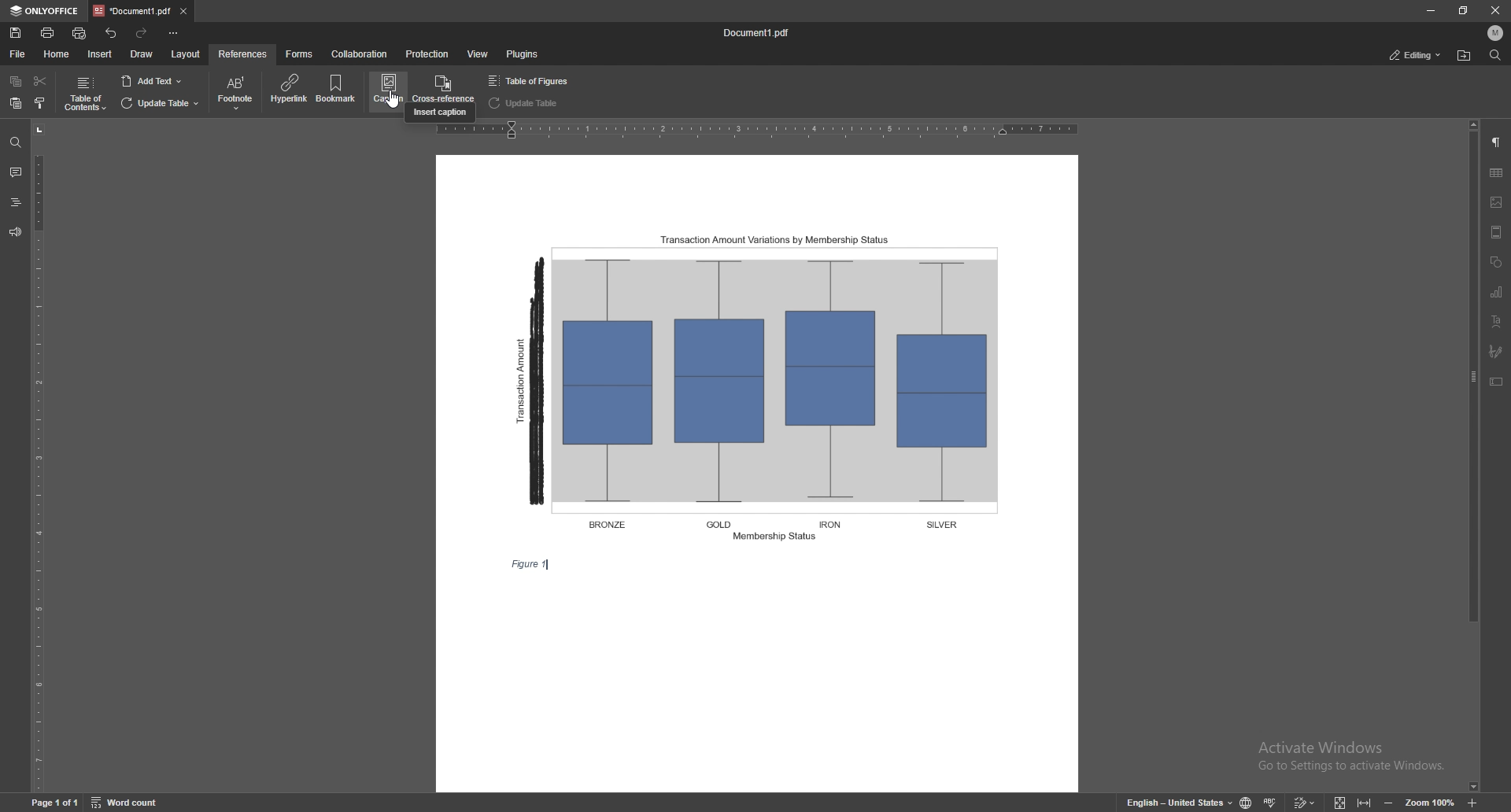  What do you see at coordinates (442, 87) in the screenshot?
I see `cross references` at bounding box center [442, 87].